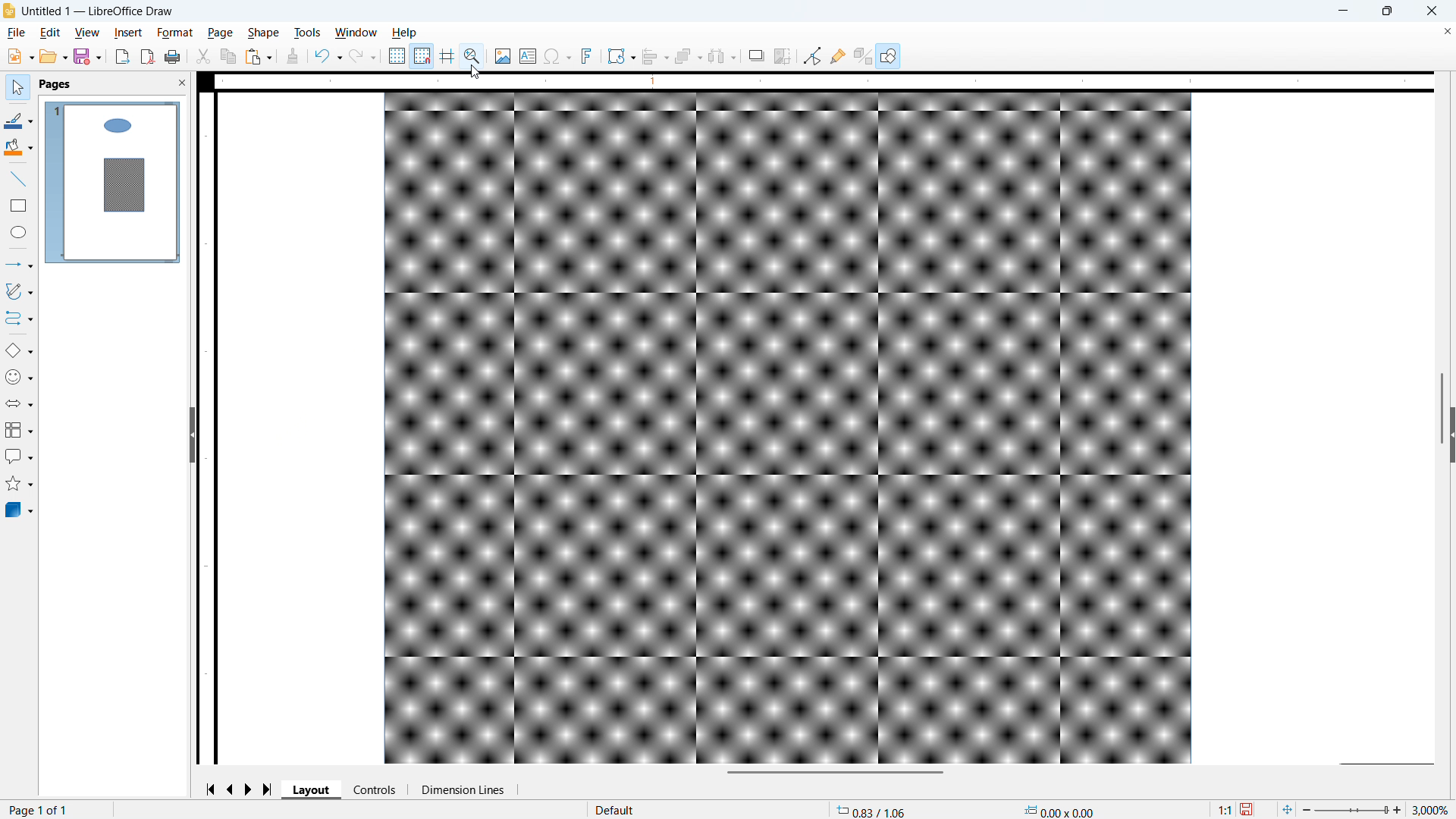 Image resolution: width=1456 pixels, height=819 pixels. I want to click on Horizontal ruler , so click(824, 81).